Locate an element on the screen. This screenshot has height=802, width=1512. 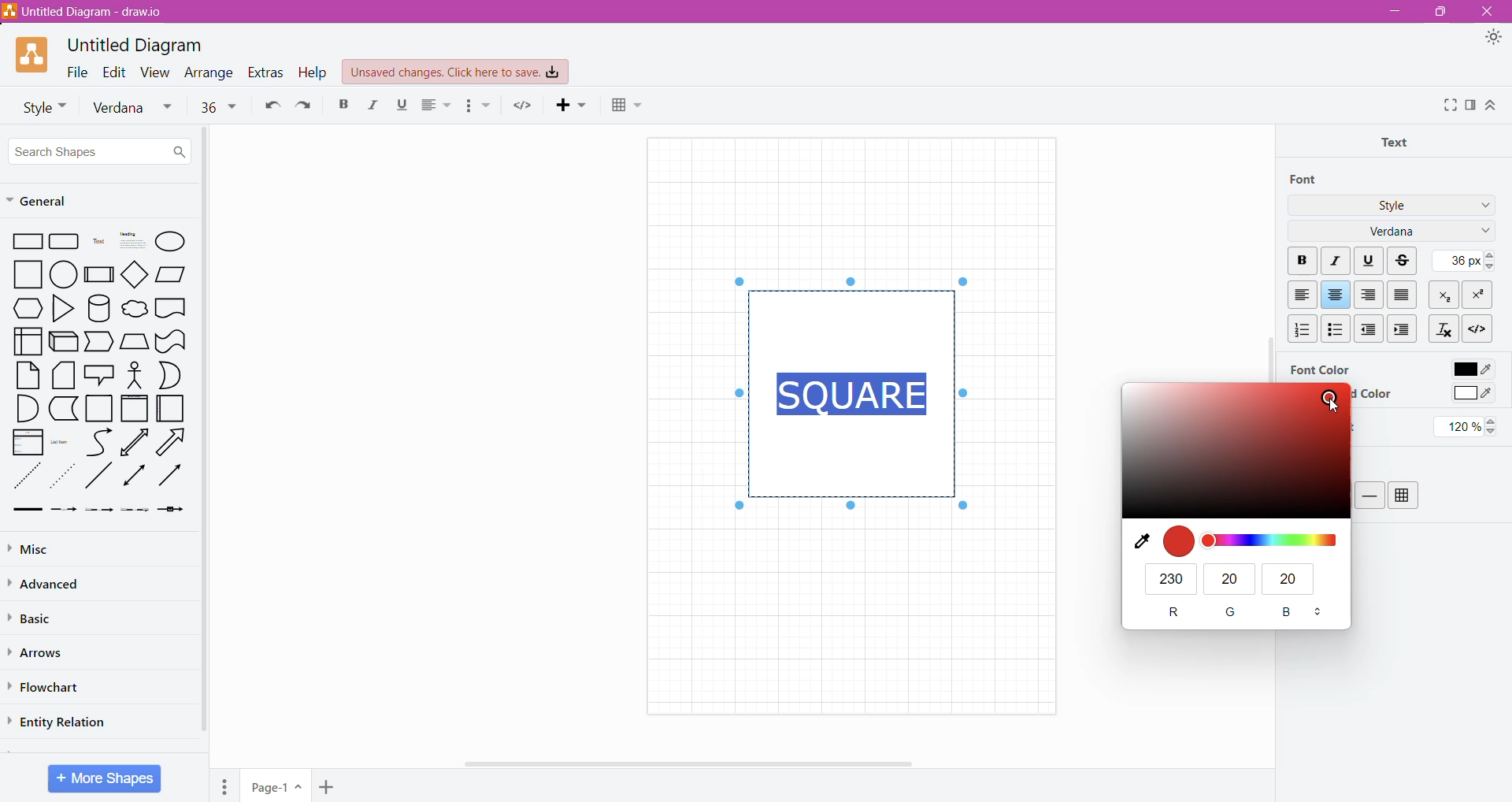
 User Interface is located at coordinates (27, 340).